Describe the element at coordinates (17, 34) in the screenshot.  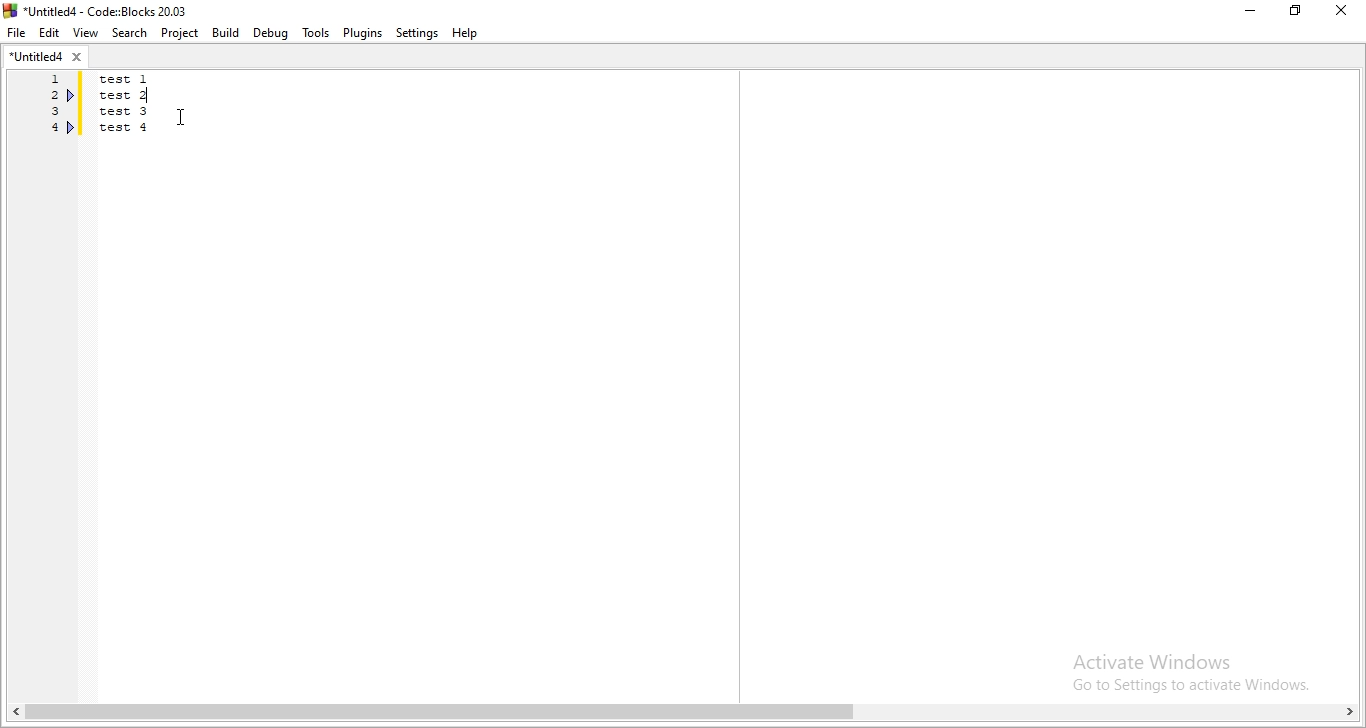
I see `File` at that location.